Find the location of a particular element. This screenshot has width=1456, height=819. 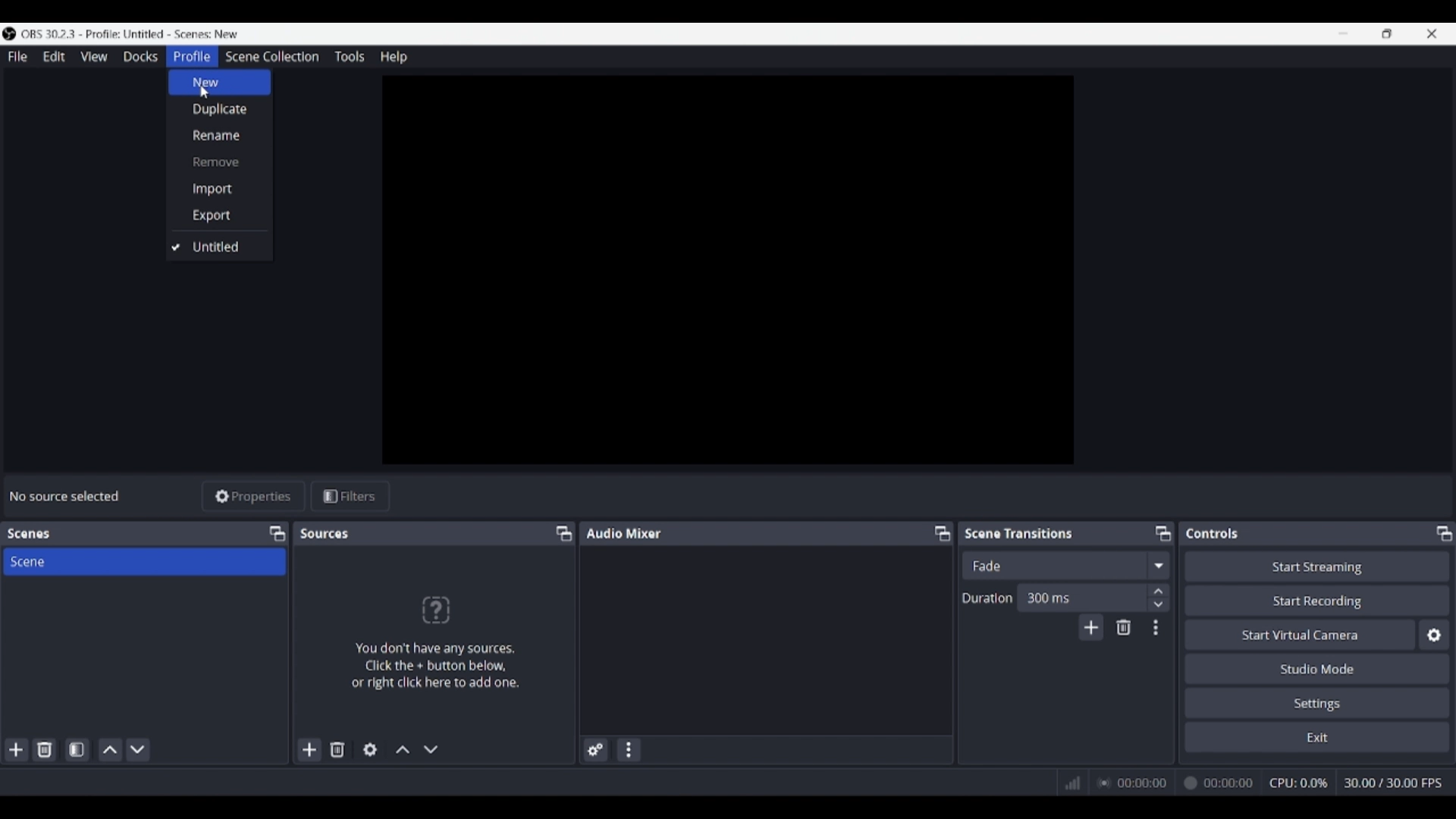

Delete selected scene is located at coordinates (44, 749).